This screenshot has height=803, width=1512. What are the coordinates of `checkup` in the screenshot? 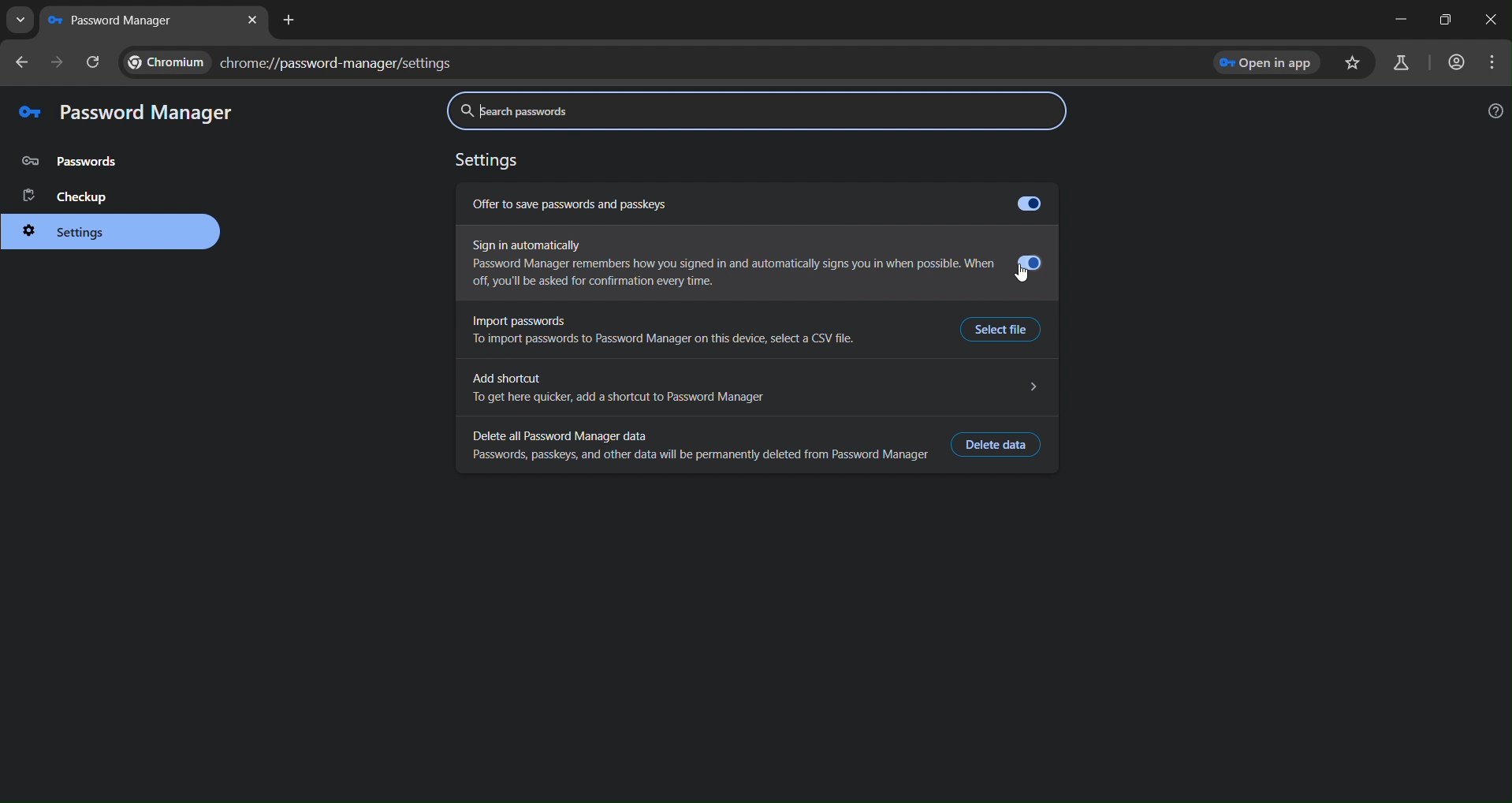 It's located at (73, 196).